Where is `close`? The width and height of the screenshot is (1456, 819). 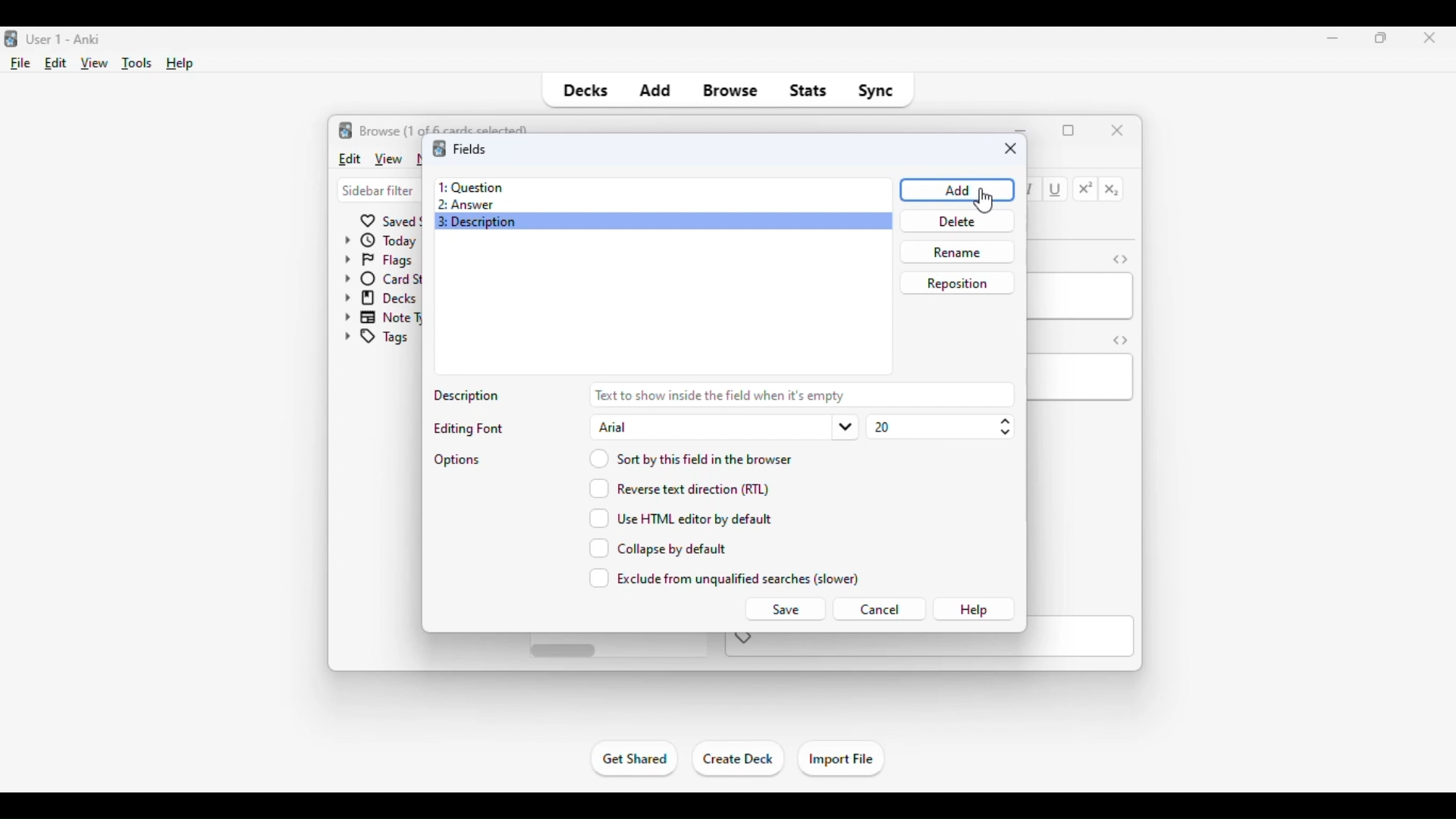
close is located at coordinates (1011, 149).